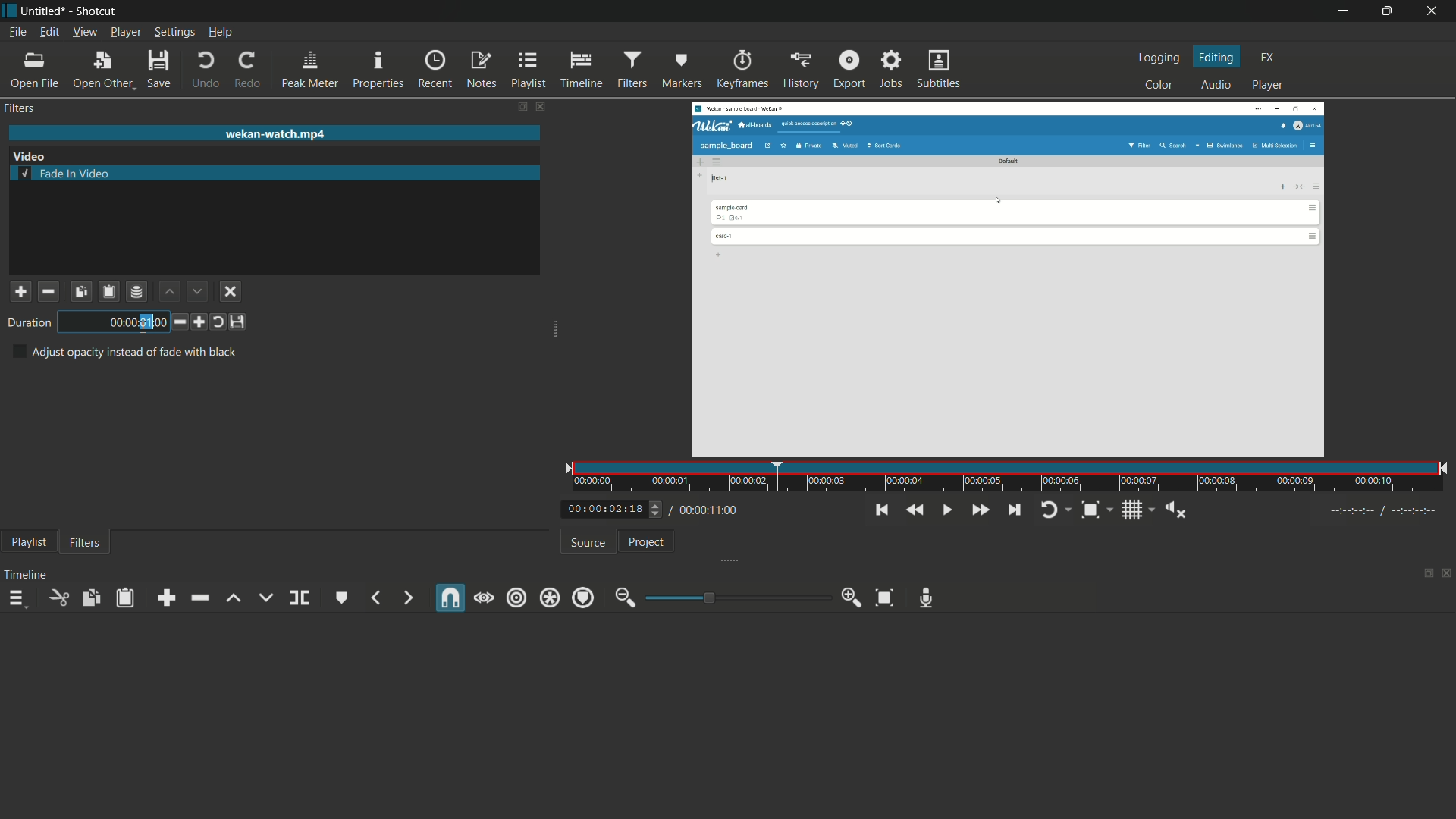 The image size is (1456, 819). I want to click on open other, so click(102, 68).